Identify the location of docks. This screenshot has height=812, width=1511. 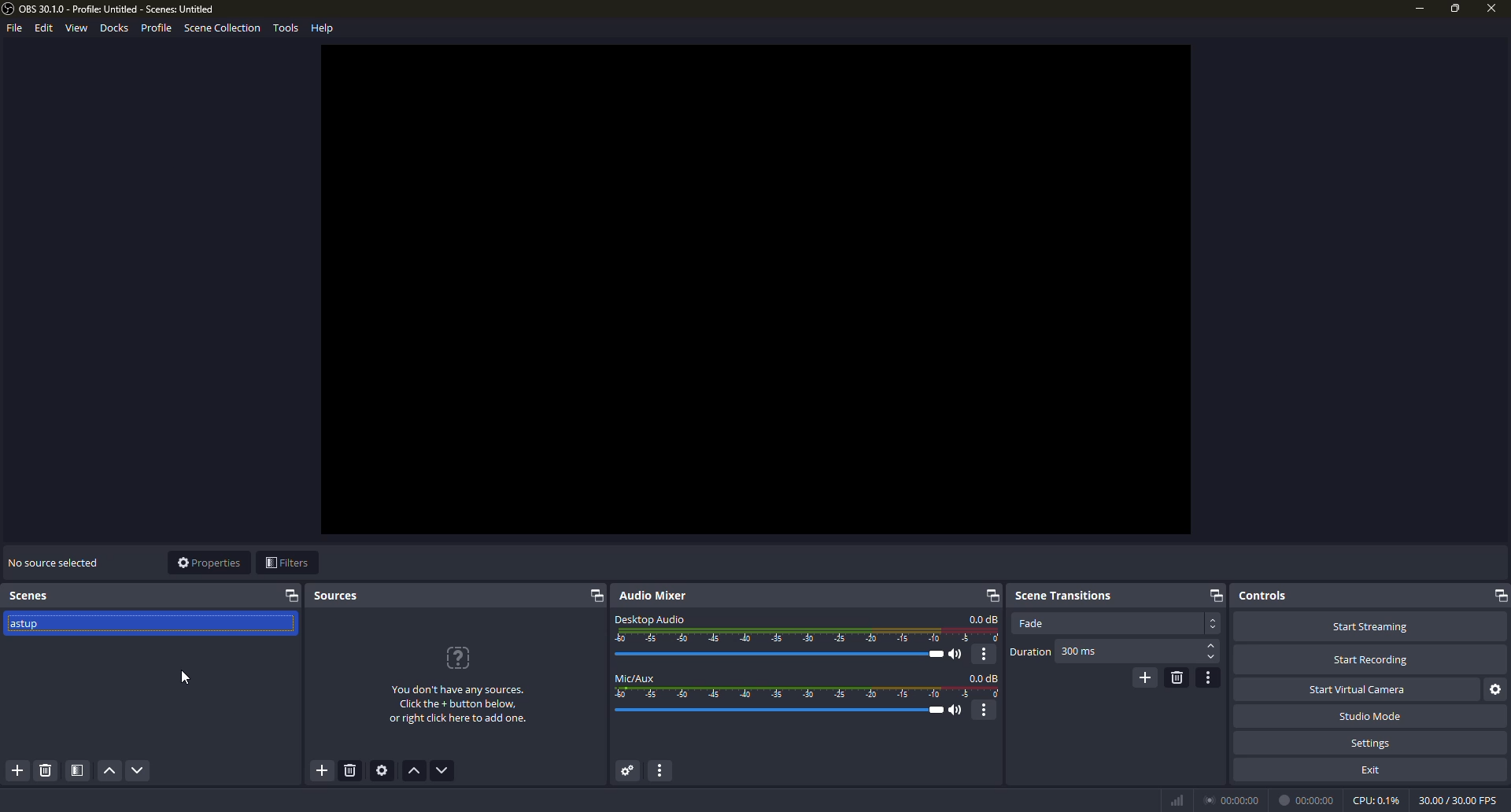
(115, 28).